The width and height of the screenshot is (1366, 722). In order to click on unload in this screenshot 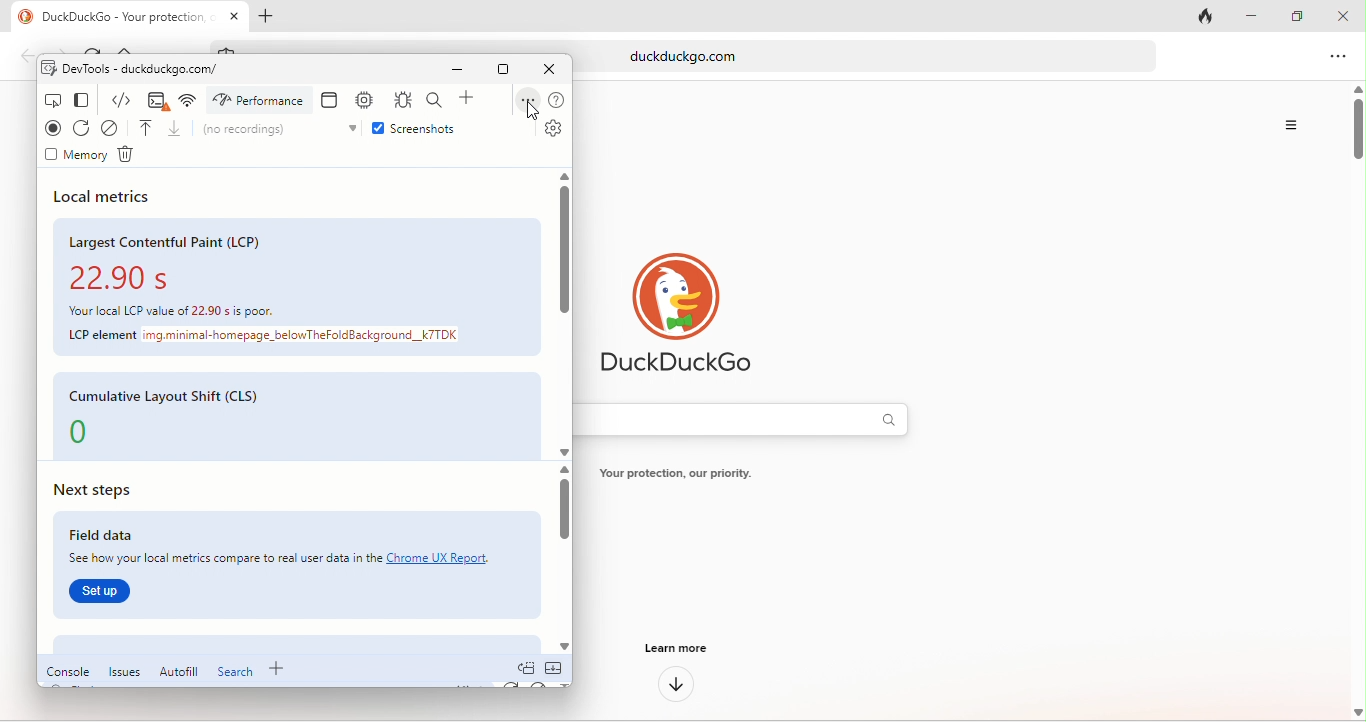, I will do `click(177, 129)`.